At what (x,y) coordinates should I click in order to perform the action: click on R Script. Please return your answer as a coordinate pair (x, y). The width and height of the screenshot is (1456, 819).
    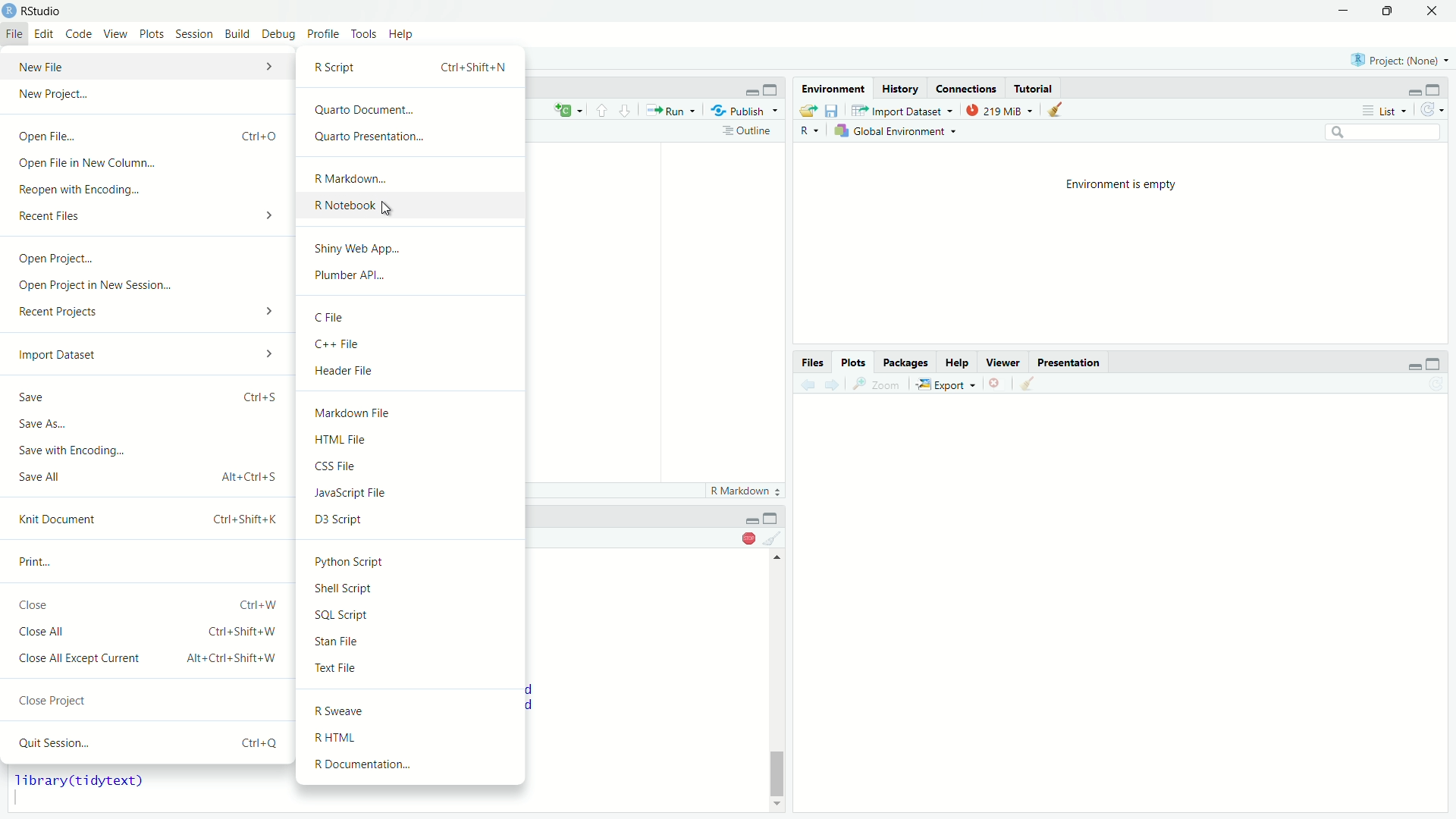
    Looking at the image, I should click on (413, 67).